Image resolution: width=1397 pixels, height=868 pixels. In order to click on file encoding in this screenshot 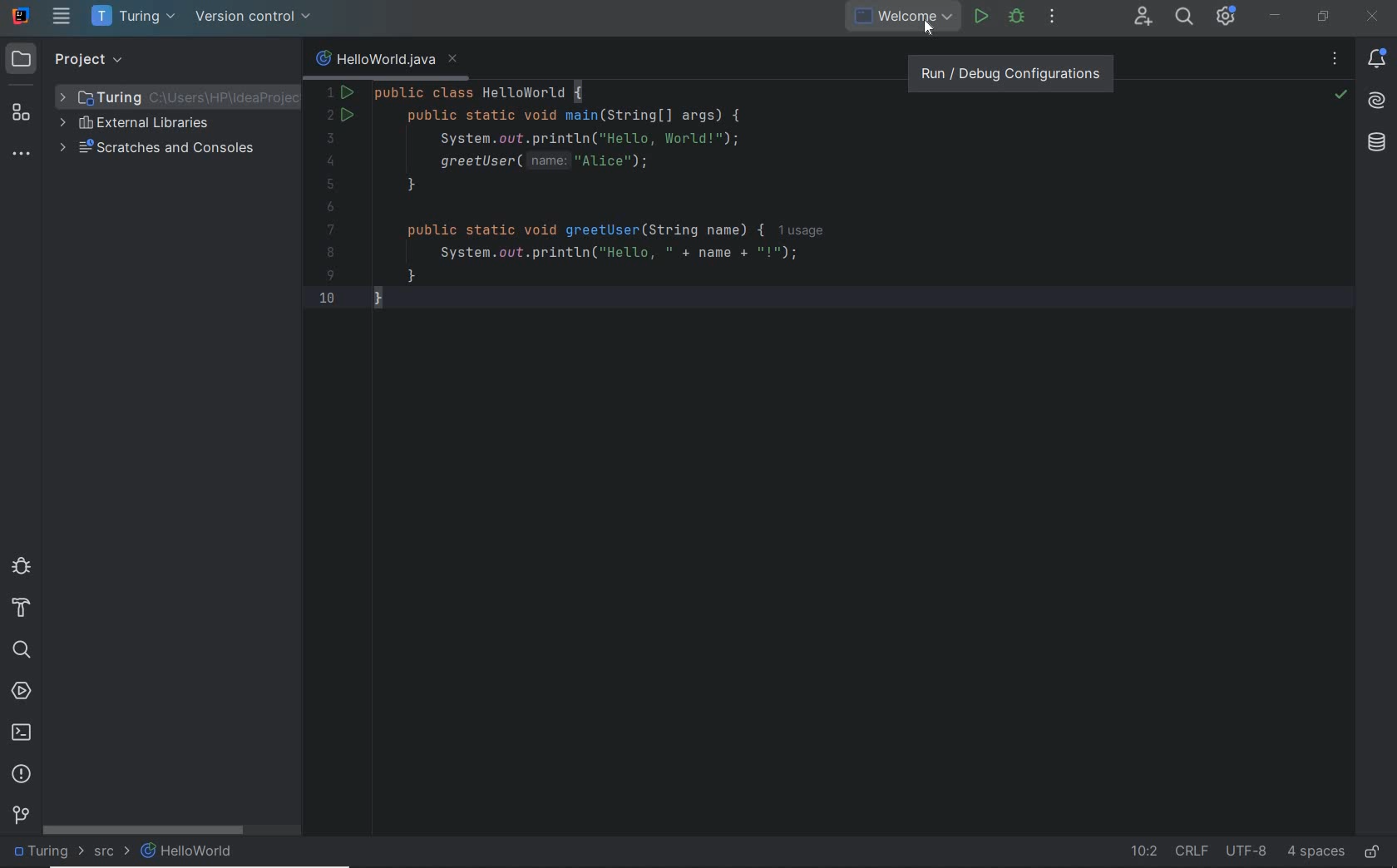, I will do `click(1247, 851)`.